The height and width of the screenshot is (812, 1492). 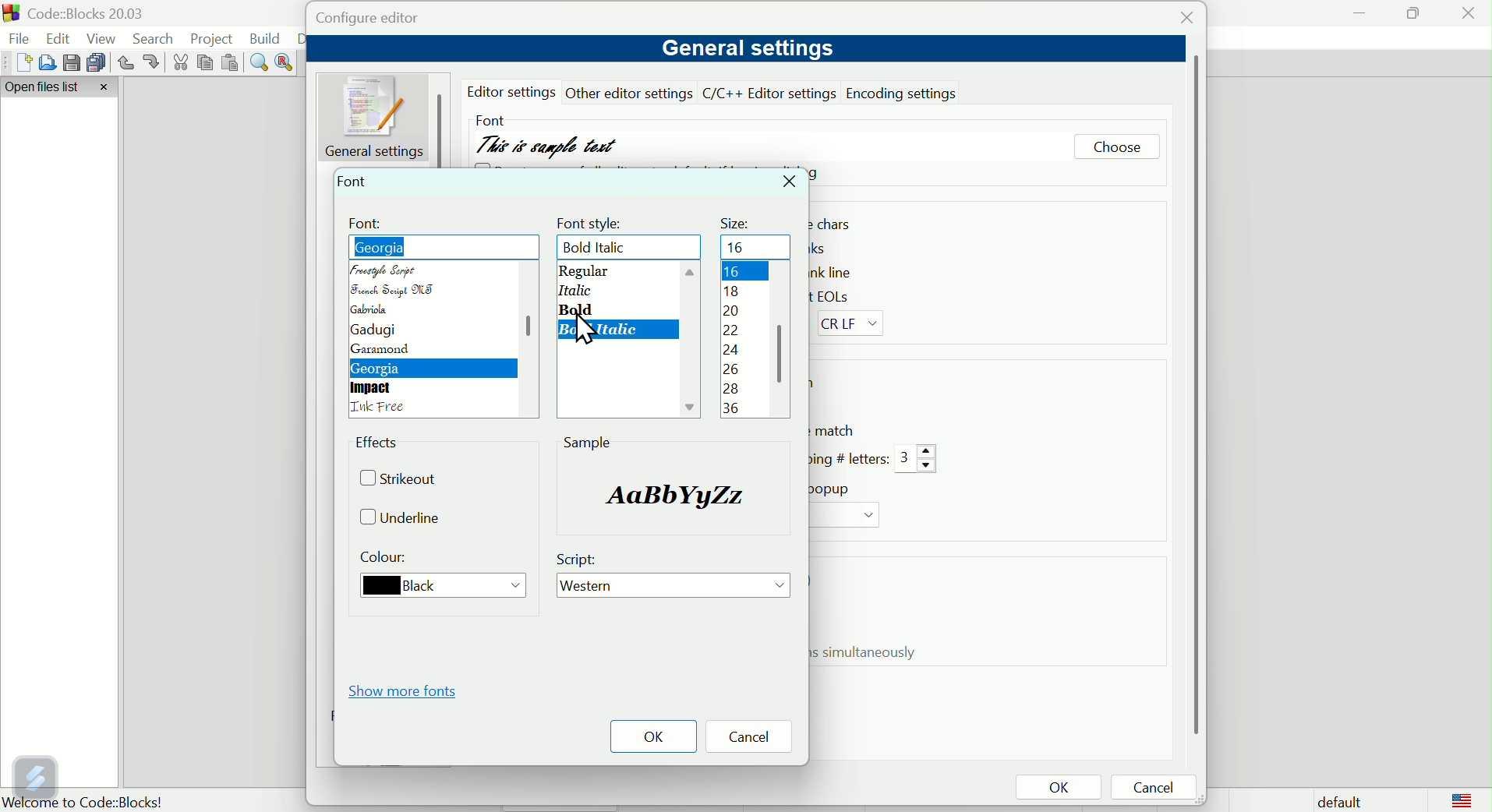 I want to click on cursor, so click(x=586, y=334).